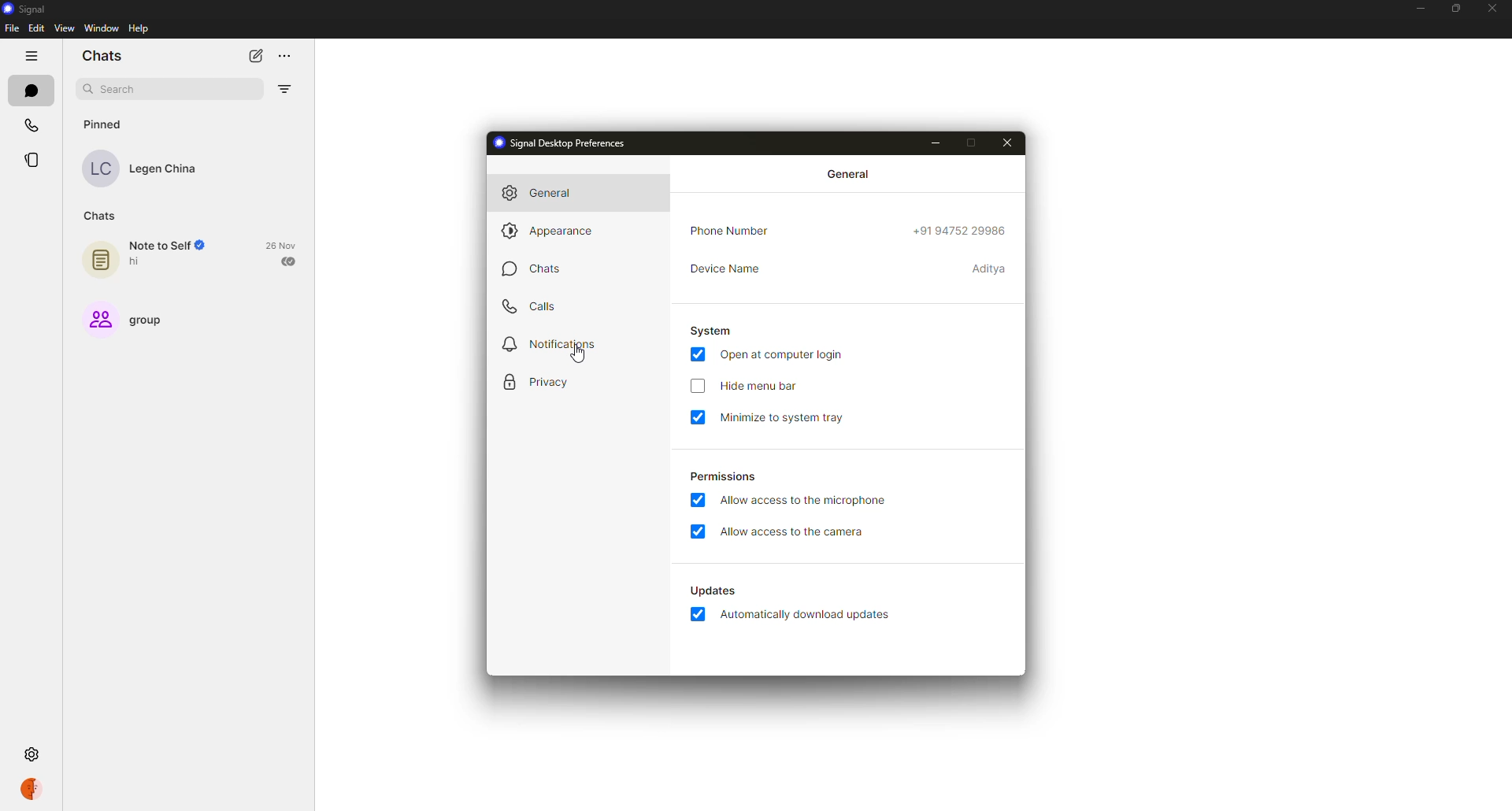  What do you see at coordinates (29, 9) in the screenshot?
I see `signal` at bounding box center [29, 9].